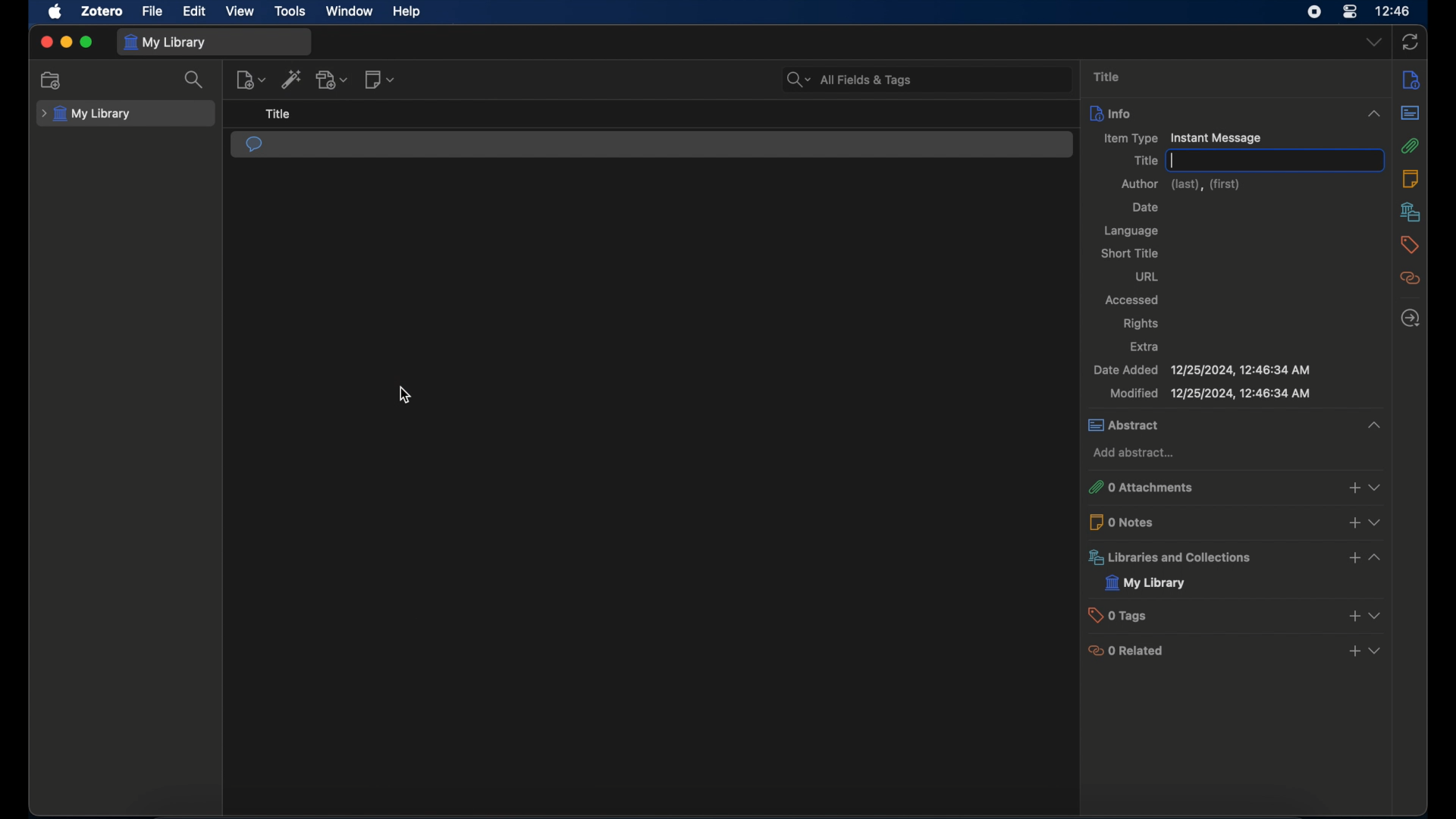 Image resolution: width=1456 pixels, height=819 pixels. I want to click on view, so click(240, 12).